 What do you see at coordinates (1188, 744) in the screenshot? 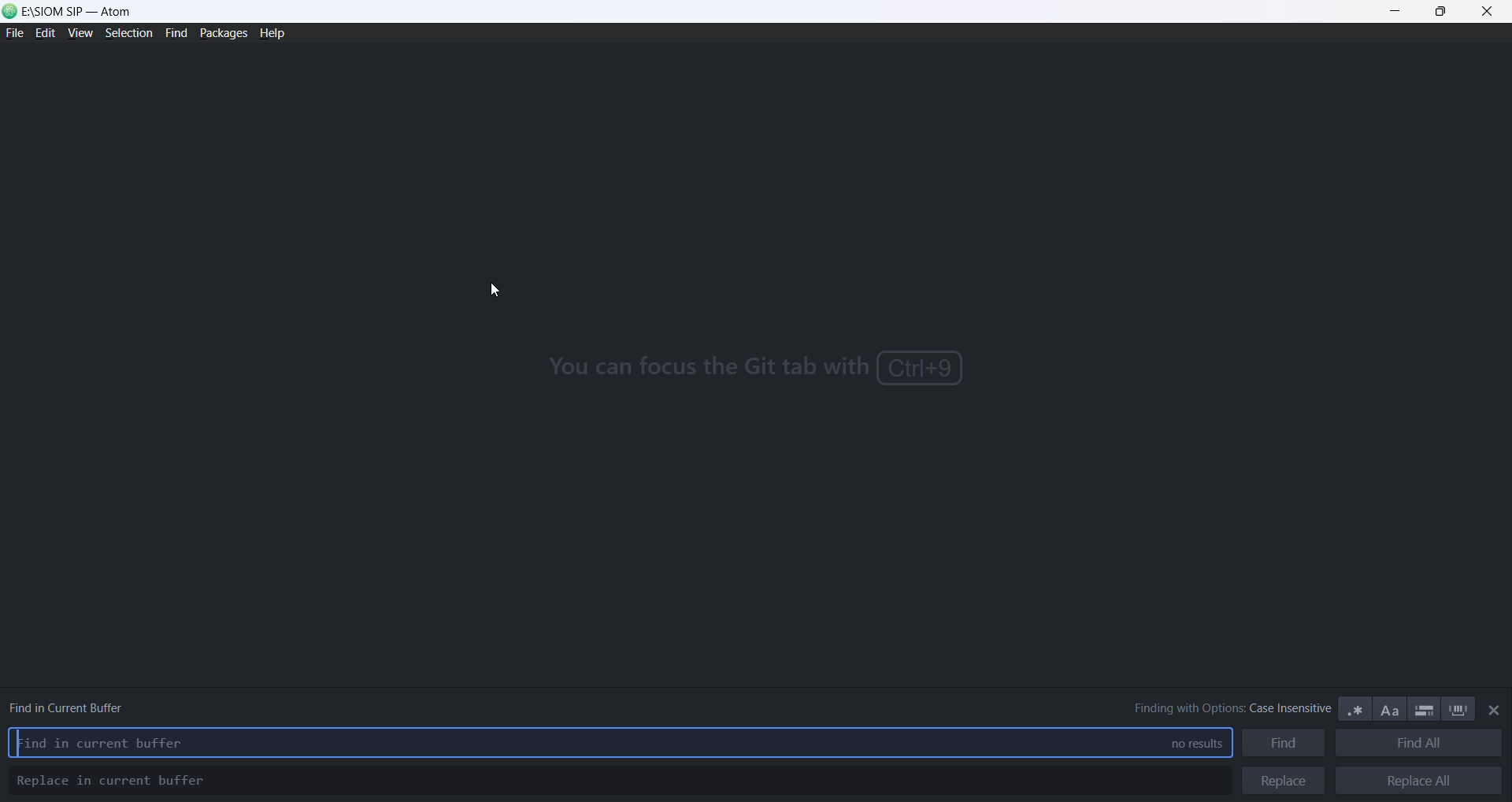
I see `results` at bounding box center [1188, 744].